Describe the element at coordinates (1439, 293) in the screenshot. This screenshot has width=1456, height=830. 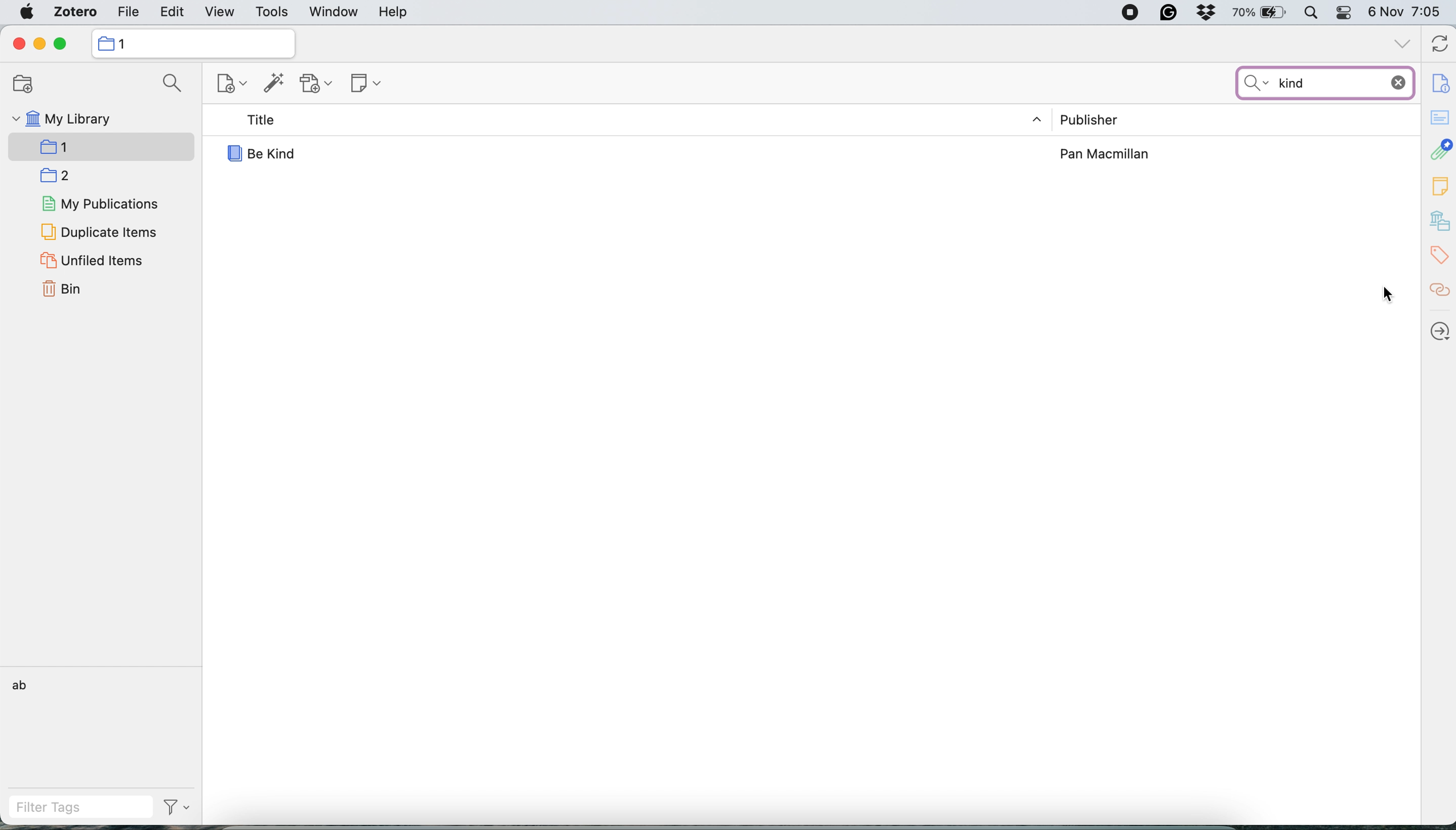
I see `related` at that location.